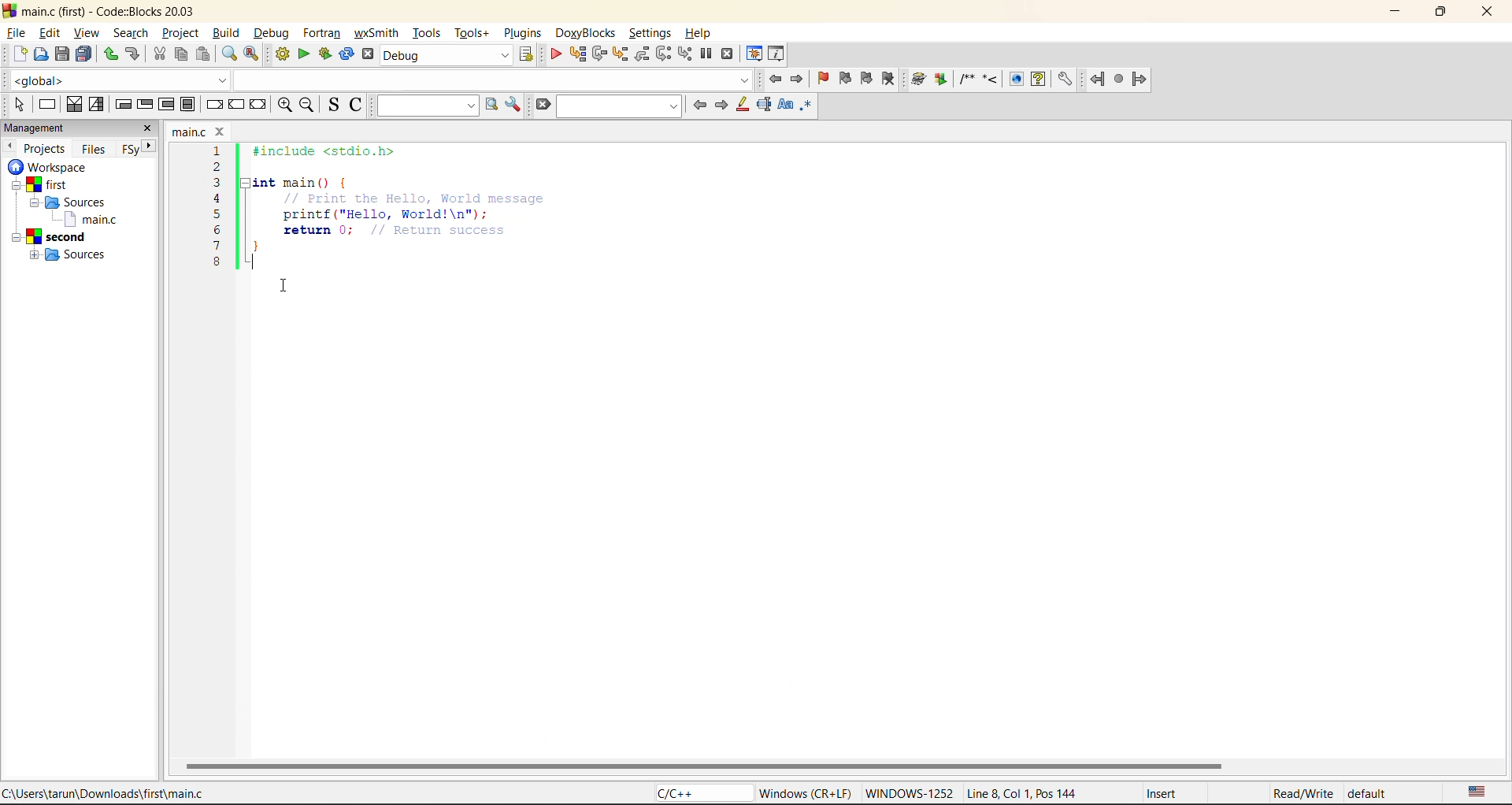  Describe the element at coordinates (19, 53) in the screenshot. I see `new` at that location.